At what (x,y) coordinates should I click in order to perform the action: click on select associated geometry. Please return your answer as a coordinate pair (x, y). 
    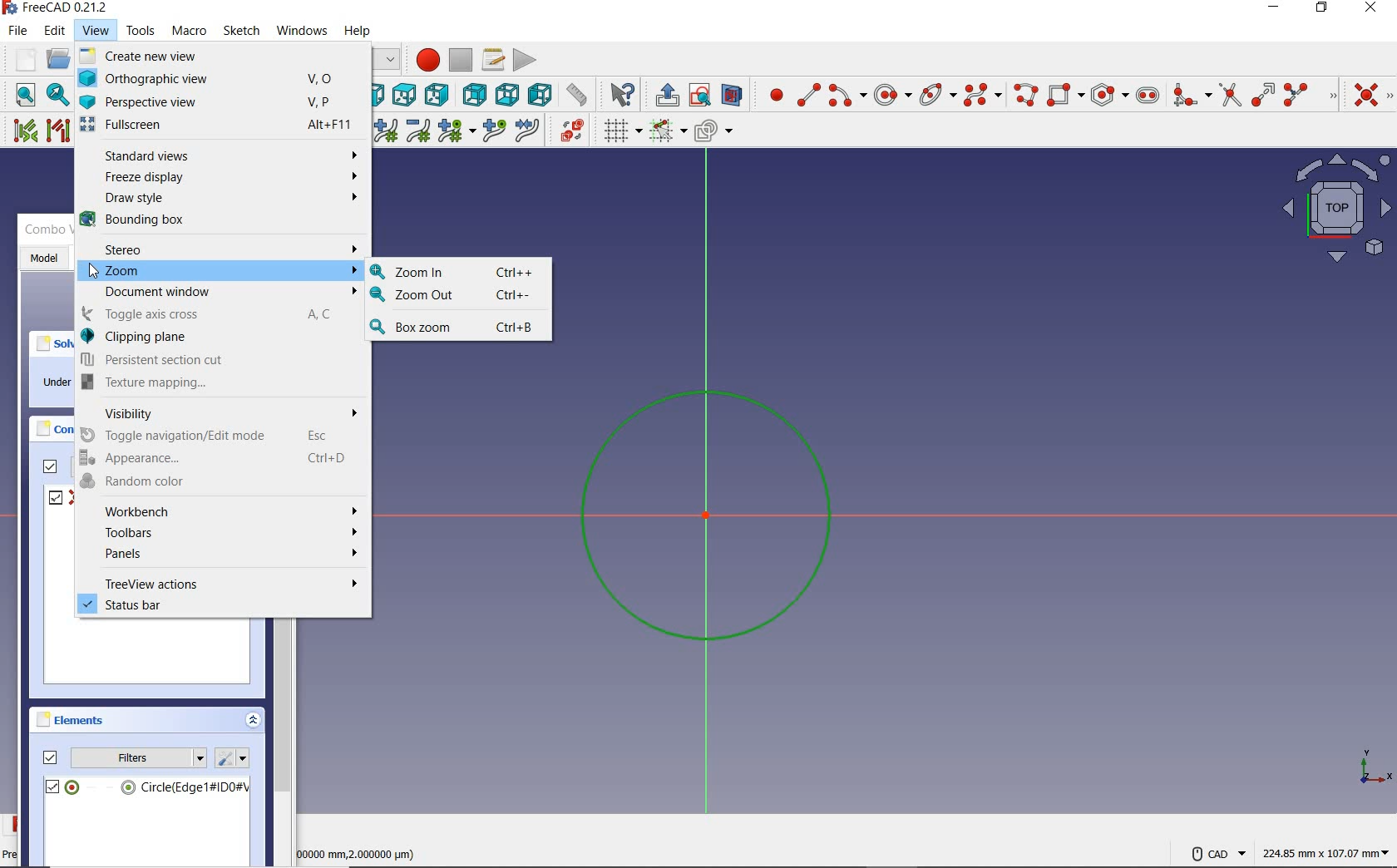
    Looking at the image, I should click on (59, 131).